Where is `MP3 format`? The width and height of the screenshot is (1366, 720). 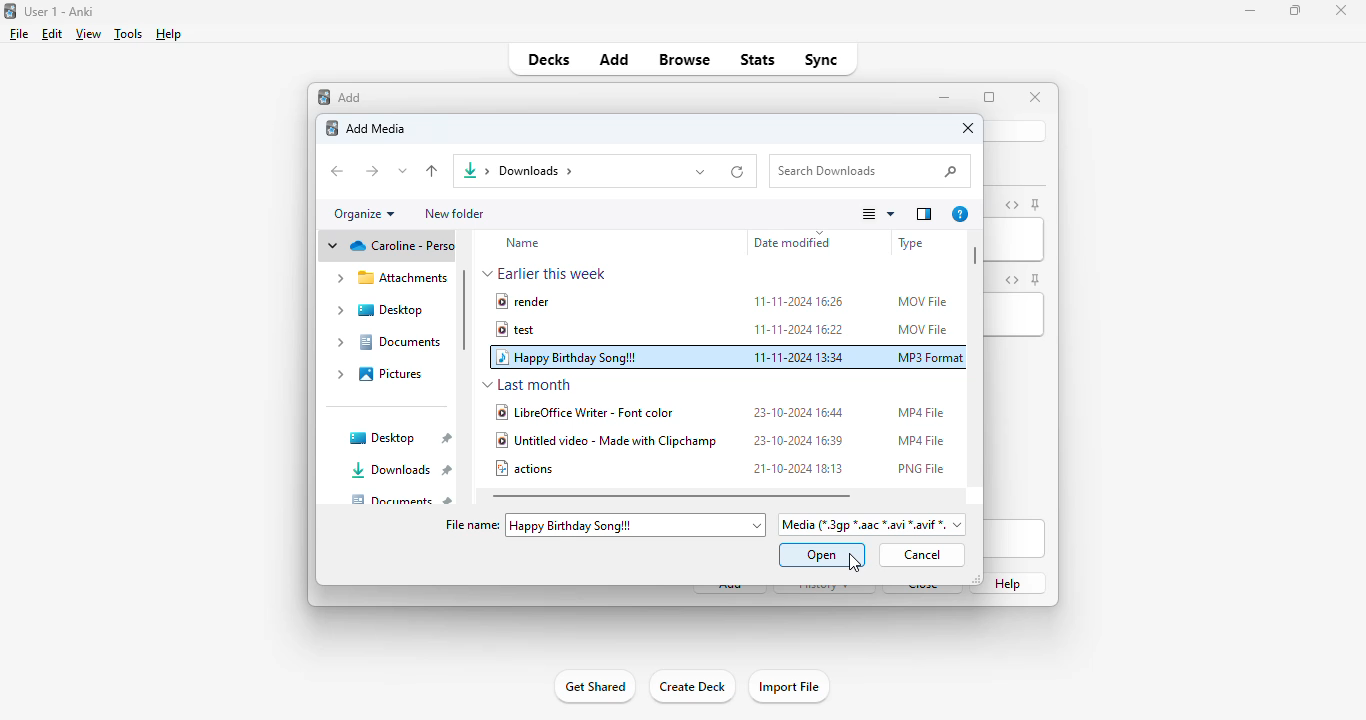 MP3 format is located at coordinates (930, 357).